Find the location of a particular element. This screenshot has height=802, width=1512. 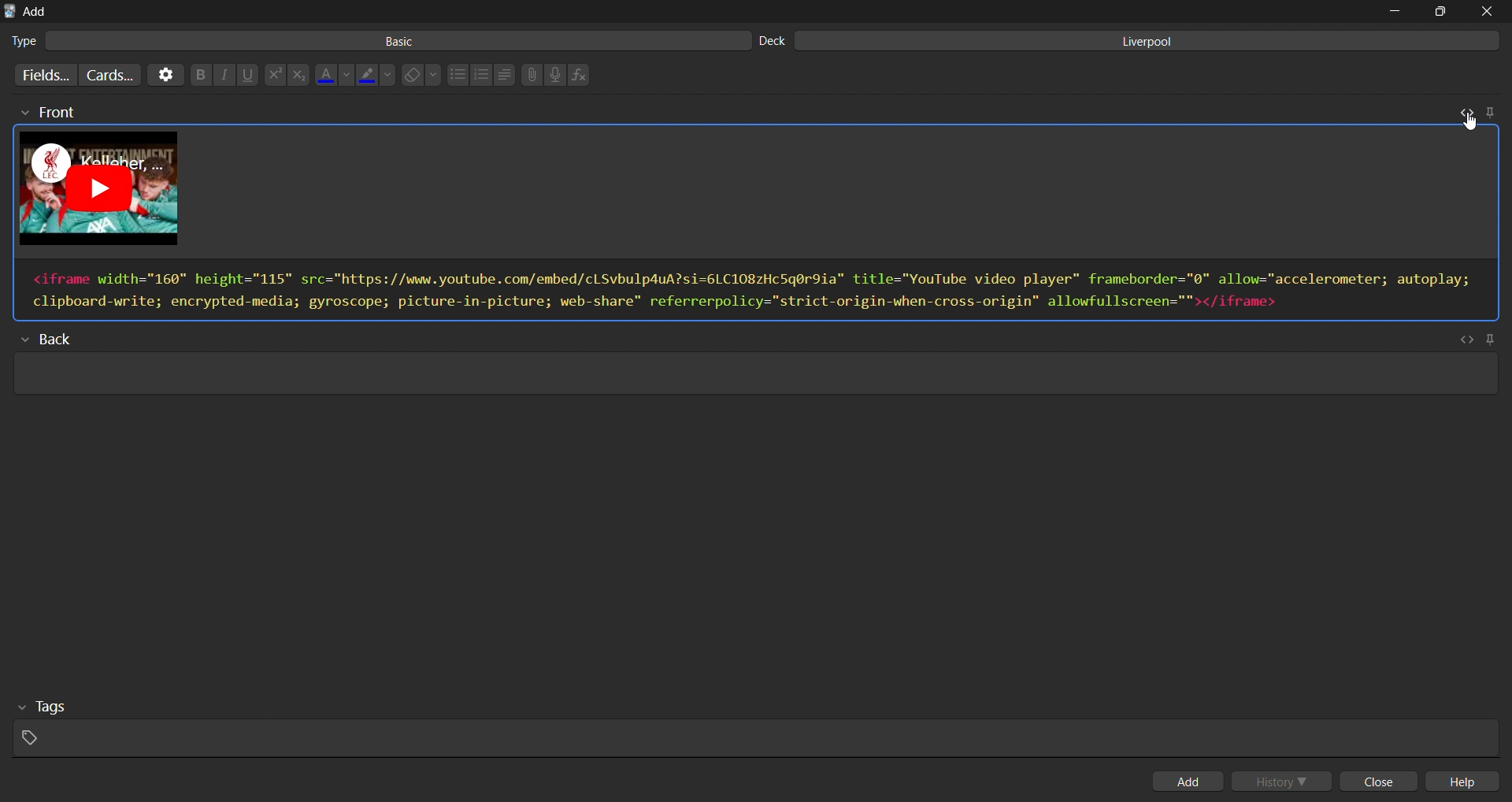

line spacing is located at coordinates (504, 75).